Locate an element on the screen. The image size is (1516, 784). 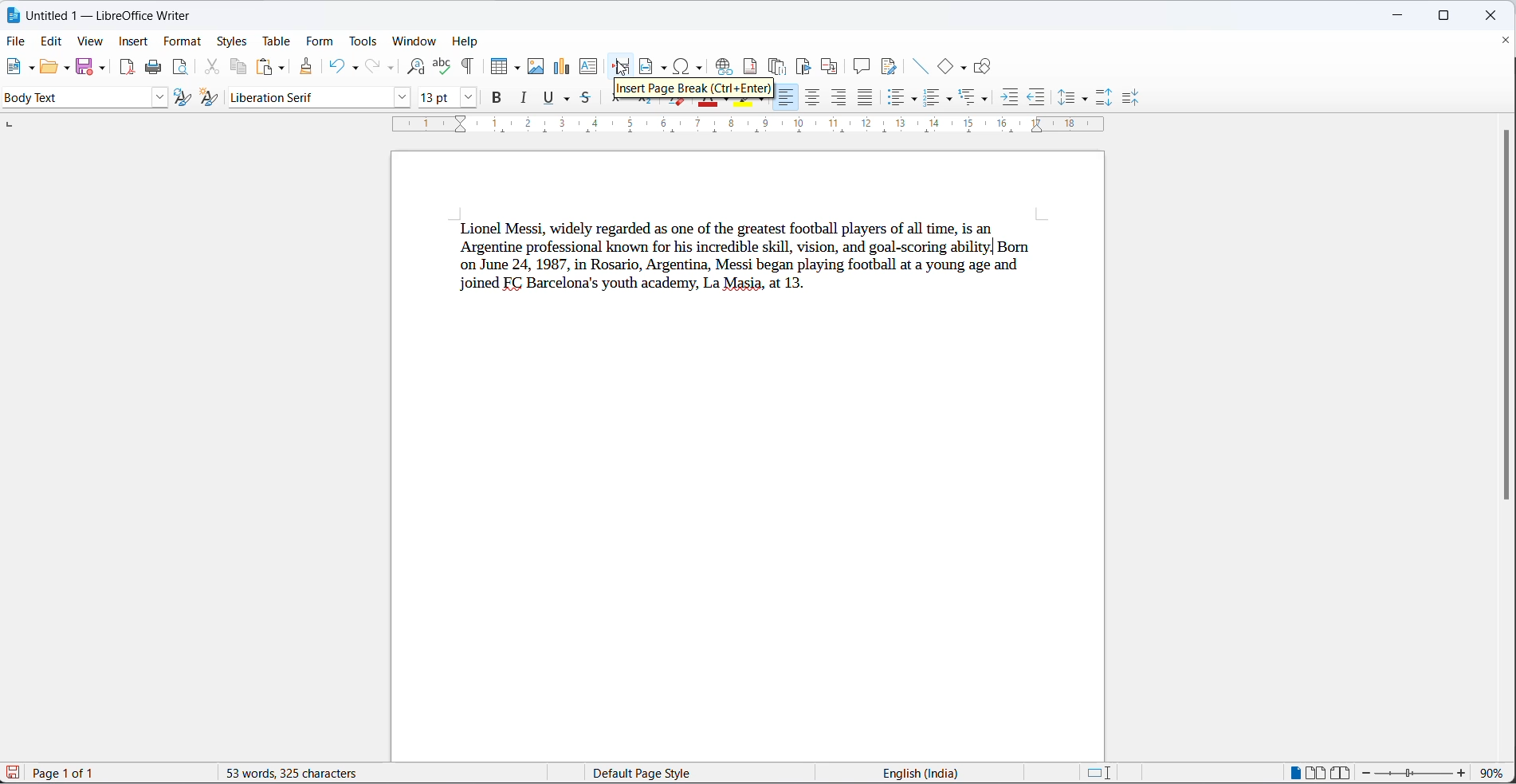
line spacing options is located at coordinates (1066, 96).